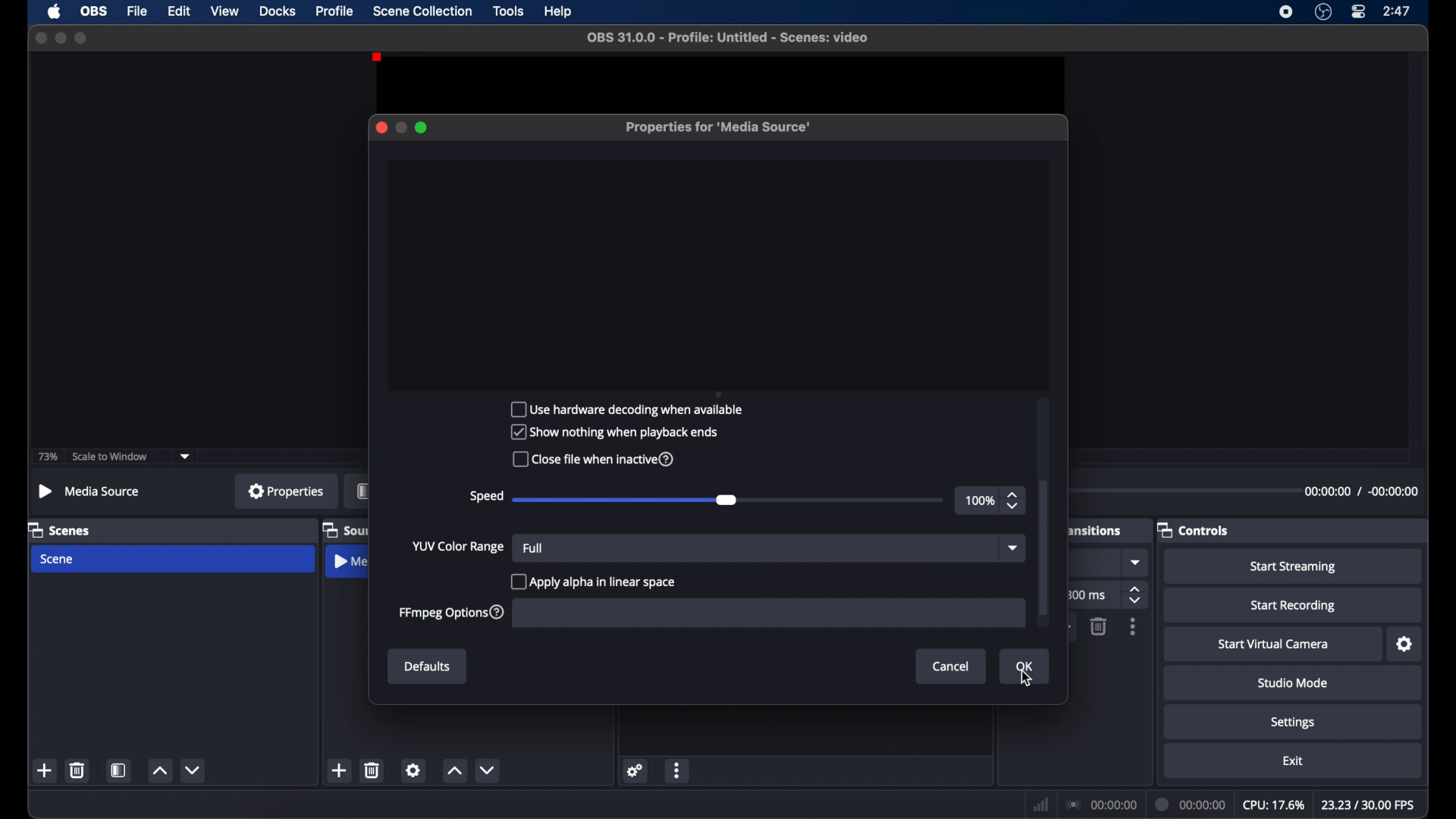 This screenshot has width=1456, height=819. I want to click on apple icon, so click(55, 11).